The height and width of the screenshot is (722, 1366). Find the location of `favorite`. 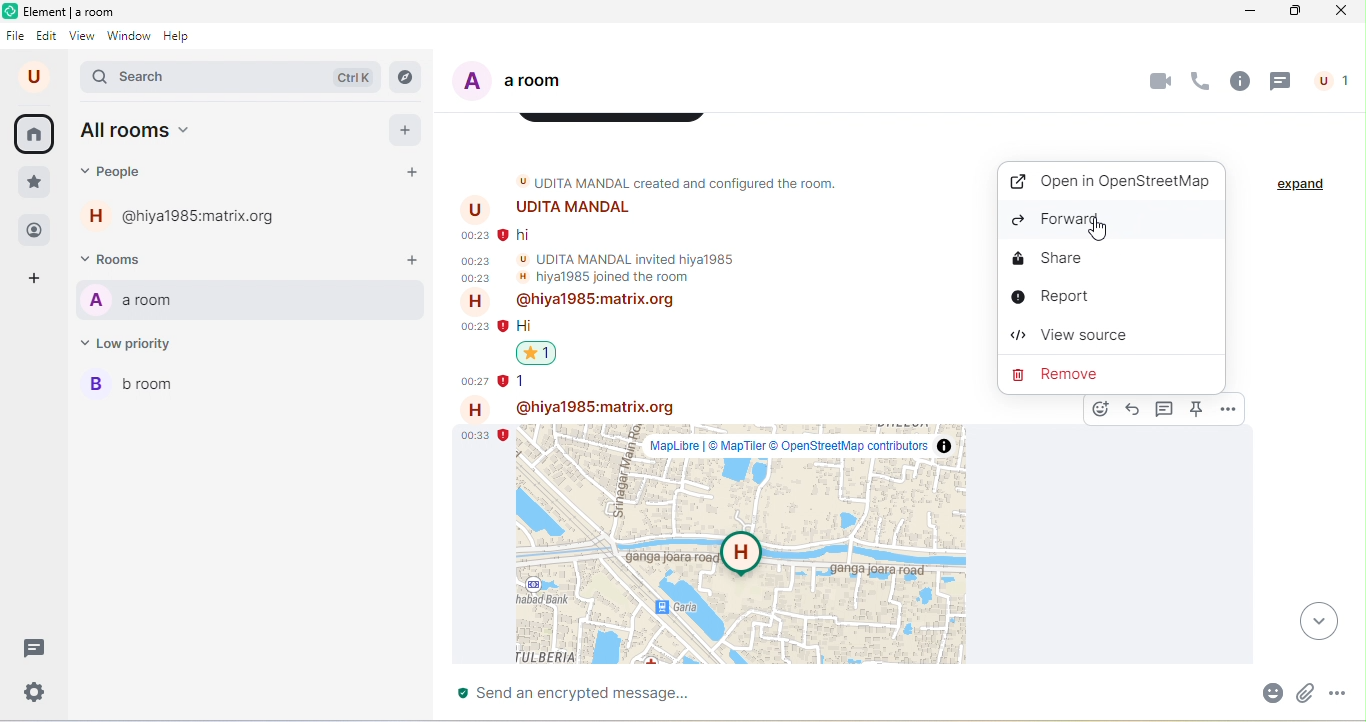

favorite is located at coordinates (32, 183).